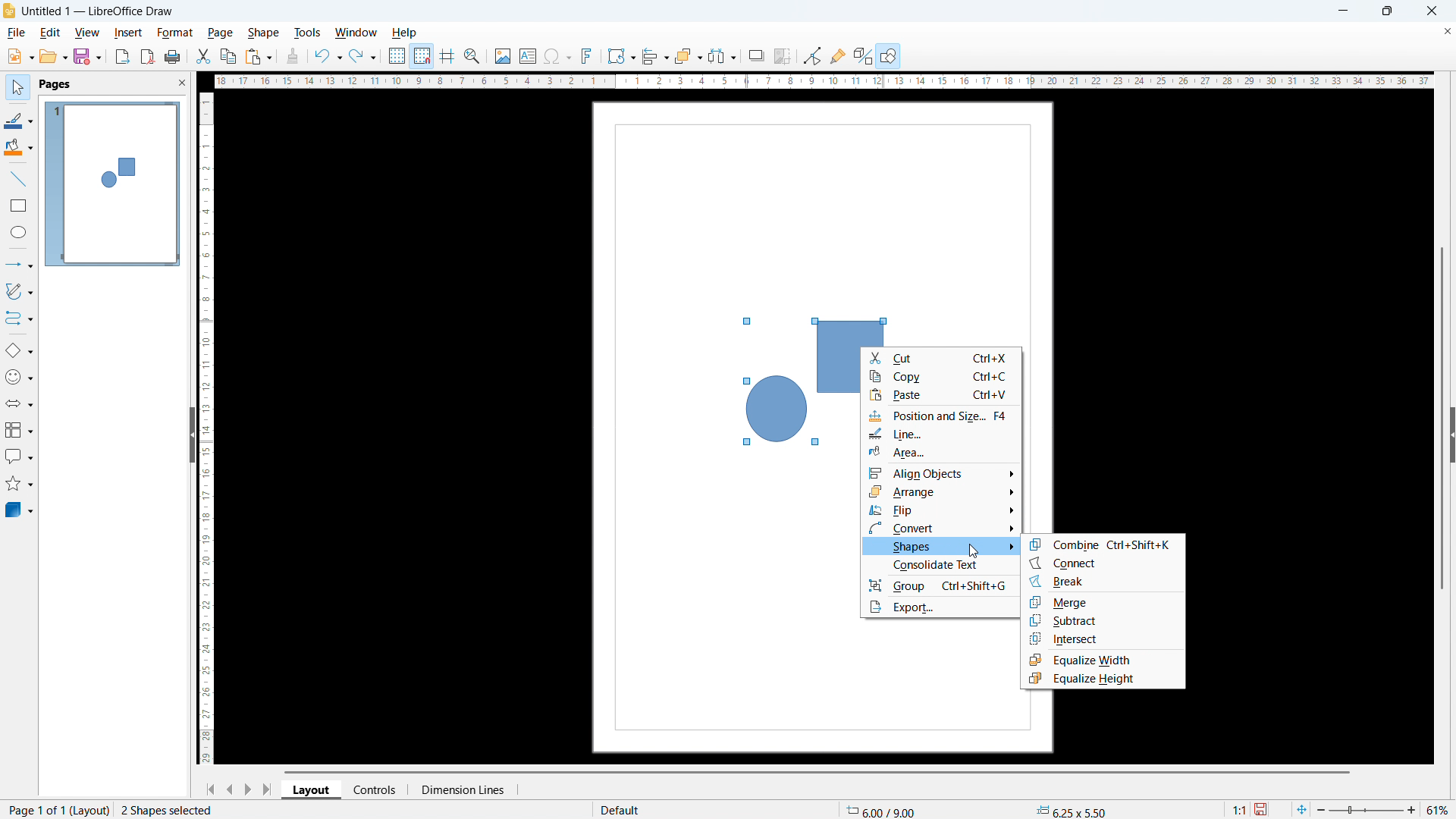 This screenshot has height=819, width=1456. I want to click on convert, so click(942, 529).